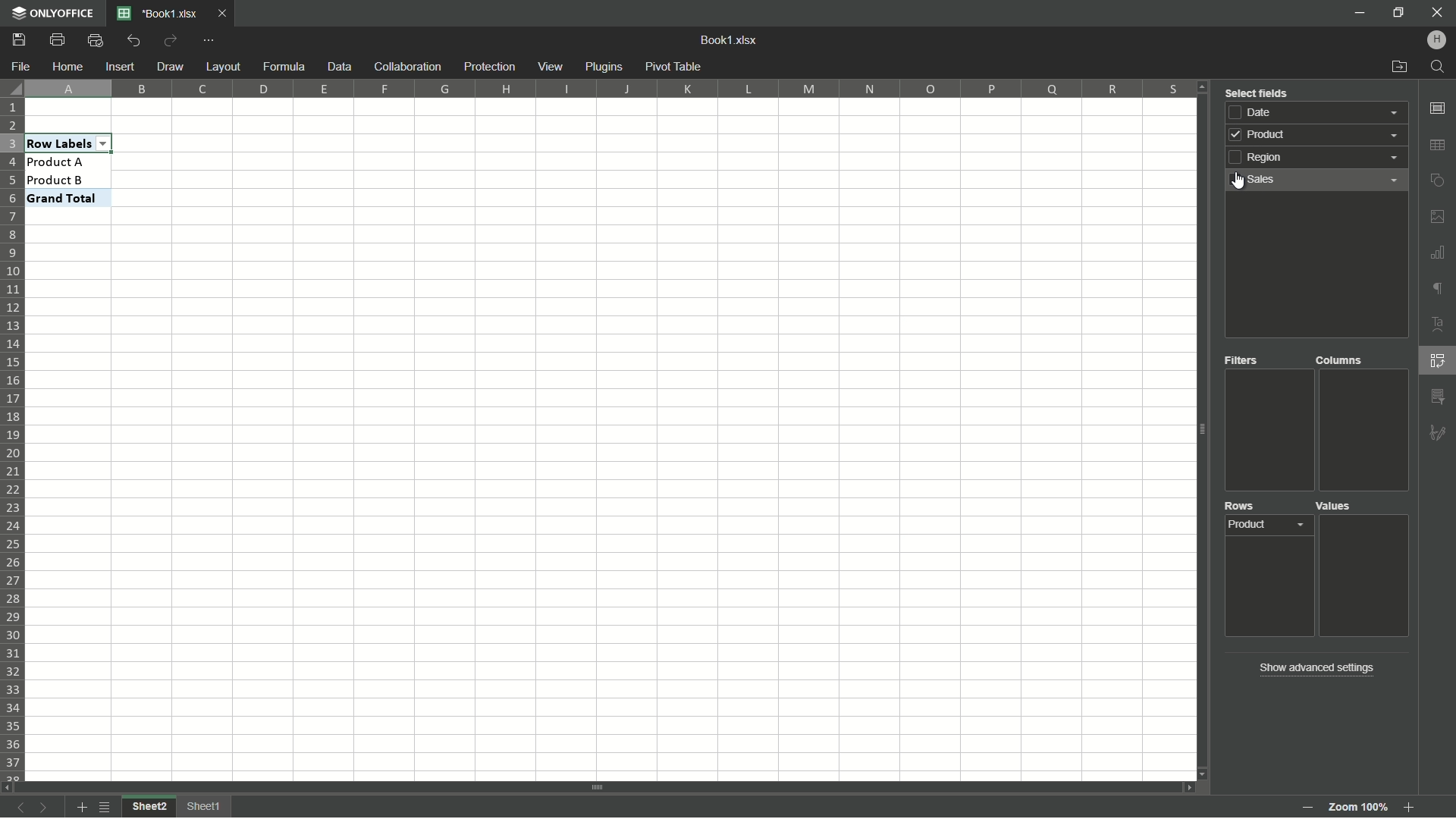  I want to click on Print file, so click(57, 42).